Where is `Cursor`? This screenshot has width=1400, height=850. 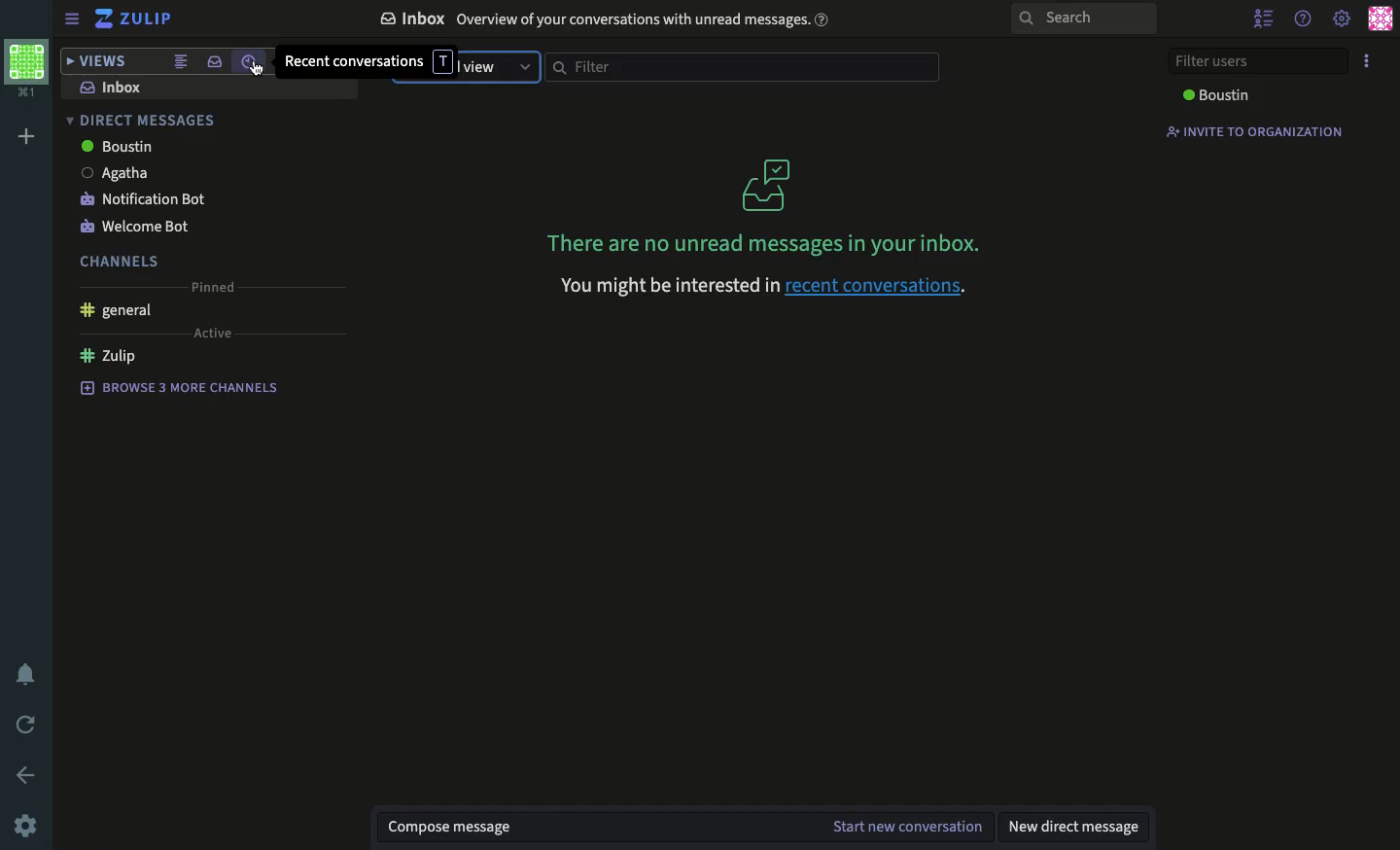
Cursor is located at coordinates (262, 72).